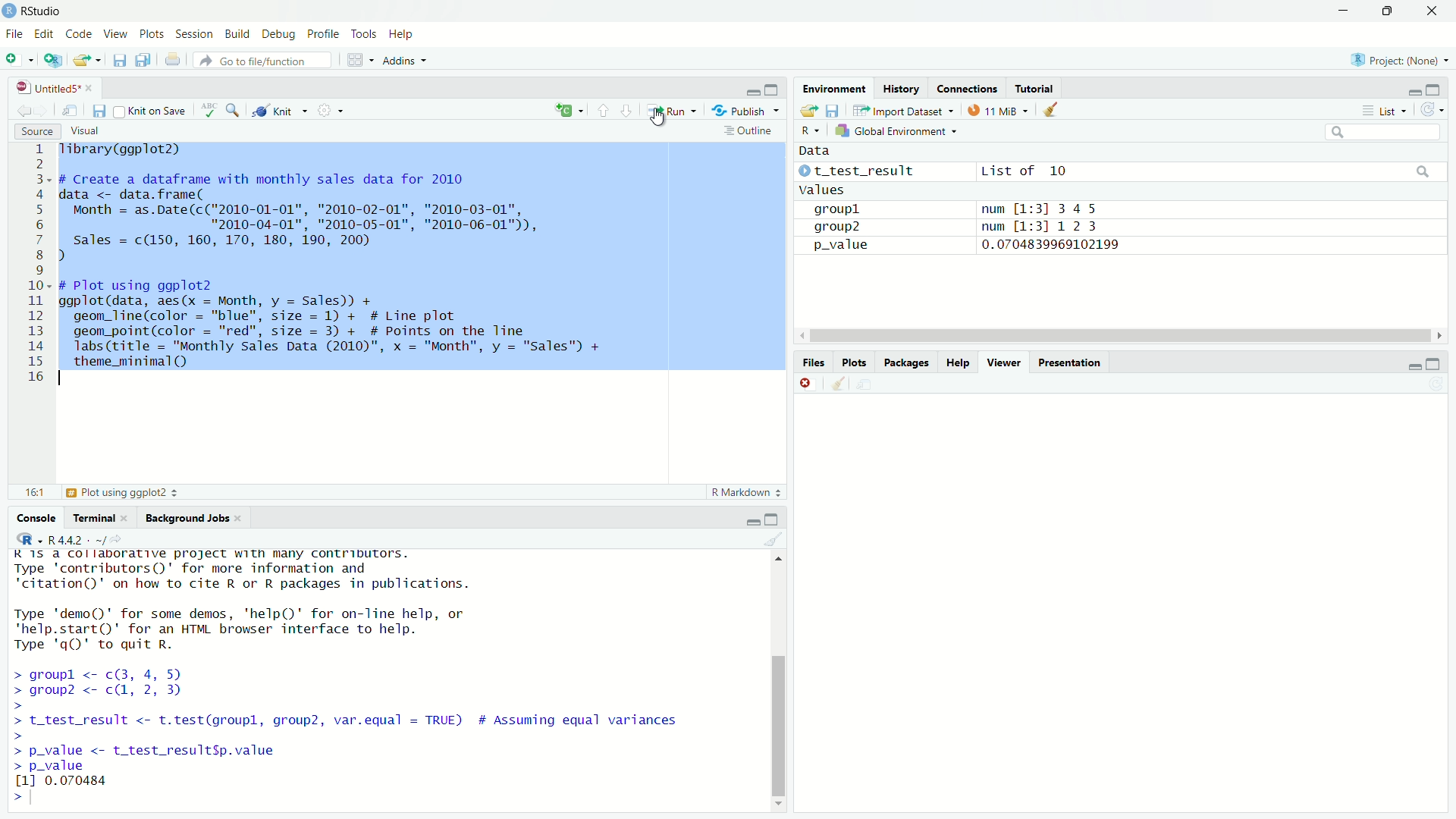  I want to click on Import Dataset, so click(900, 111).